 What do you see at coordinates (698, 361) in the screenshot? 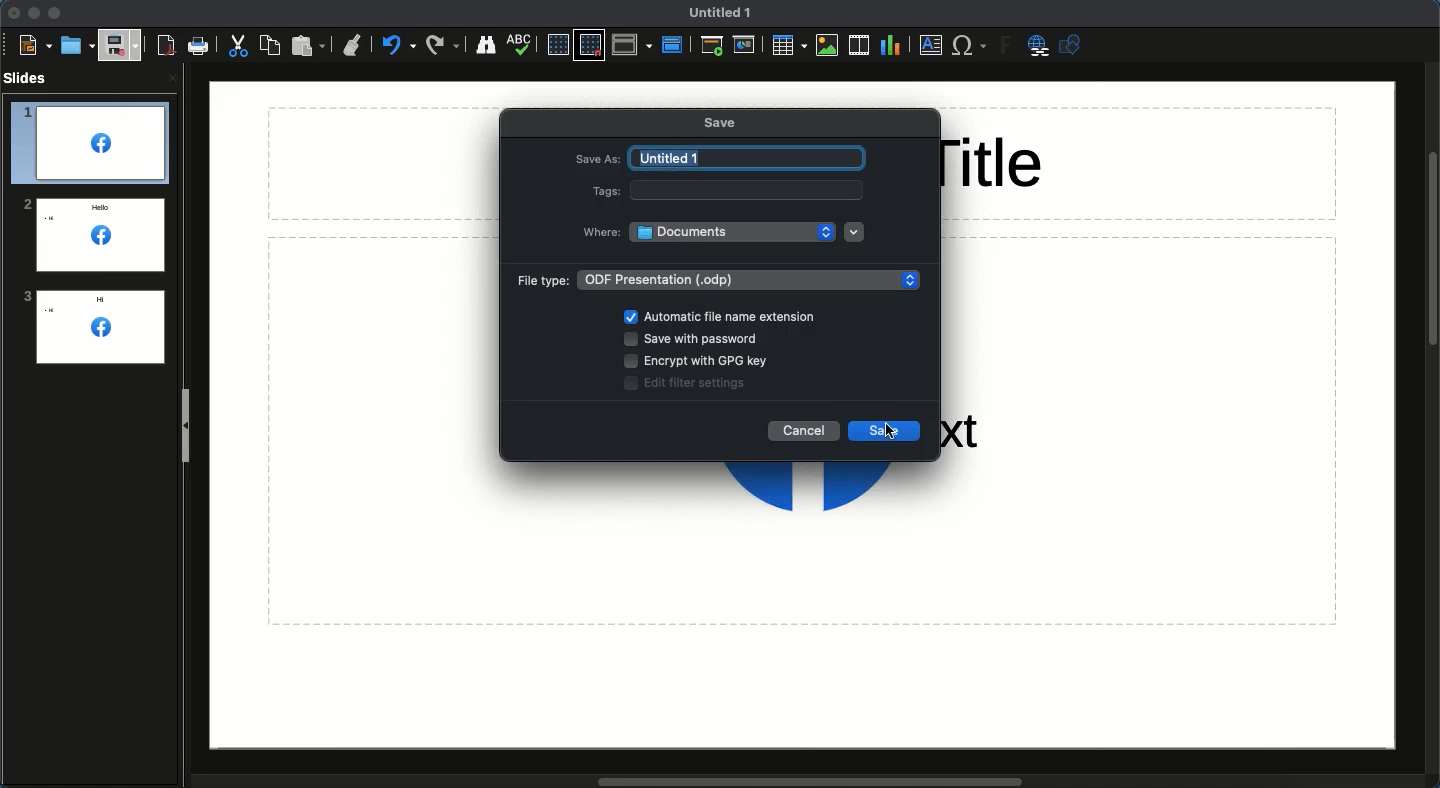
I see `Encrypt with GPG key` at bounding box center [698, 361].